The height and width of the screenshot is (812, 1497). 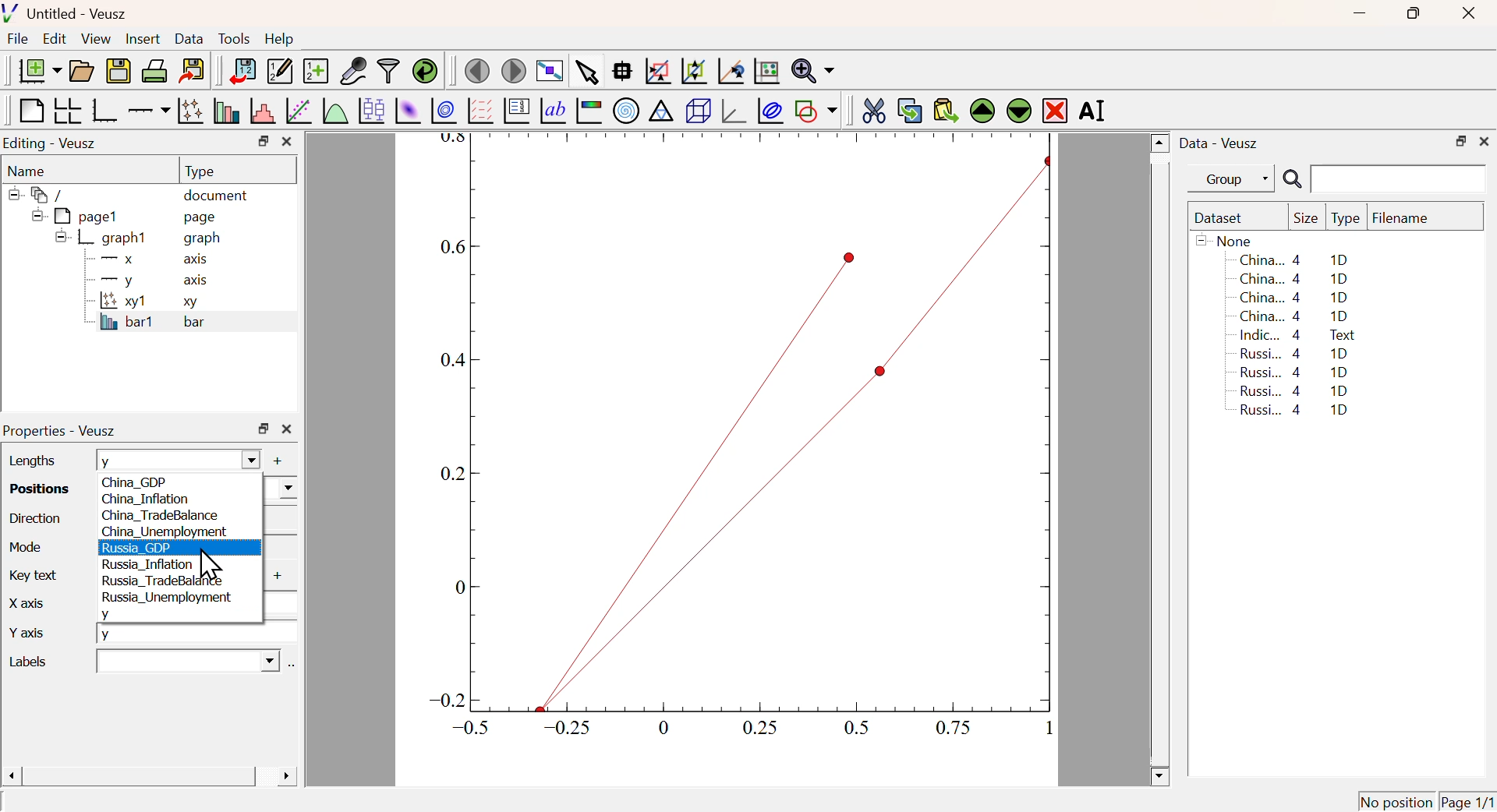 I want to click on Plot 2D set as contours, so click(x=444, y=111).